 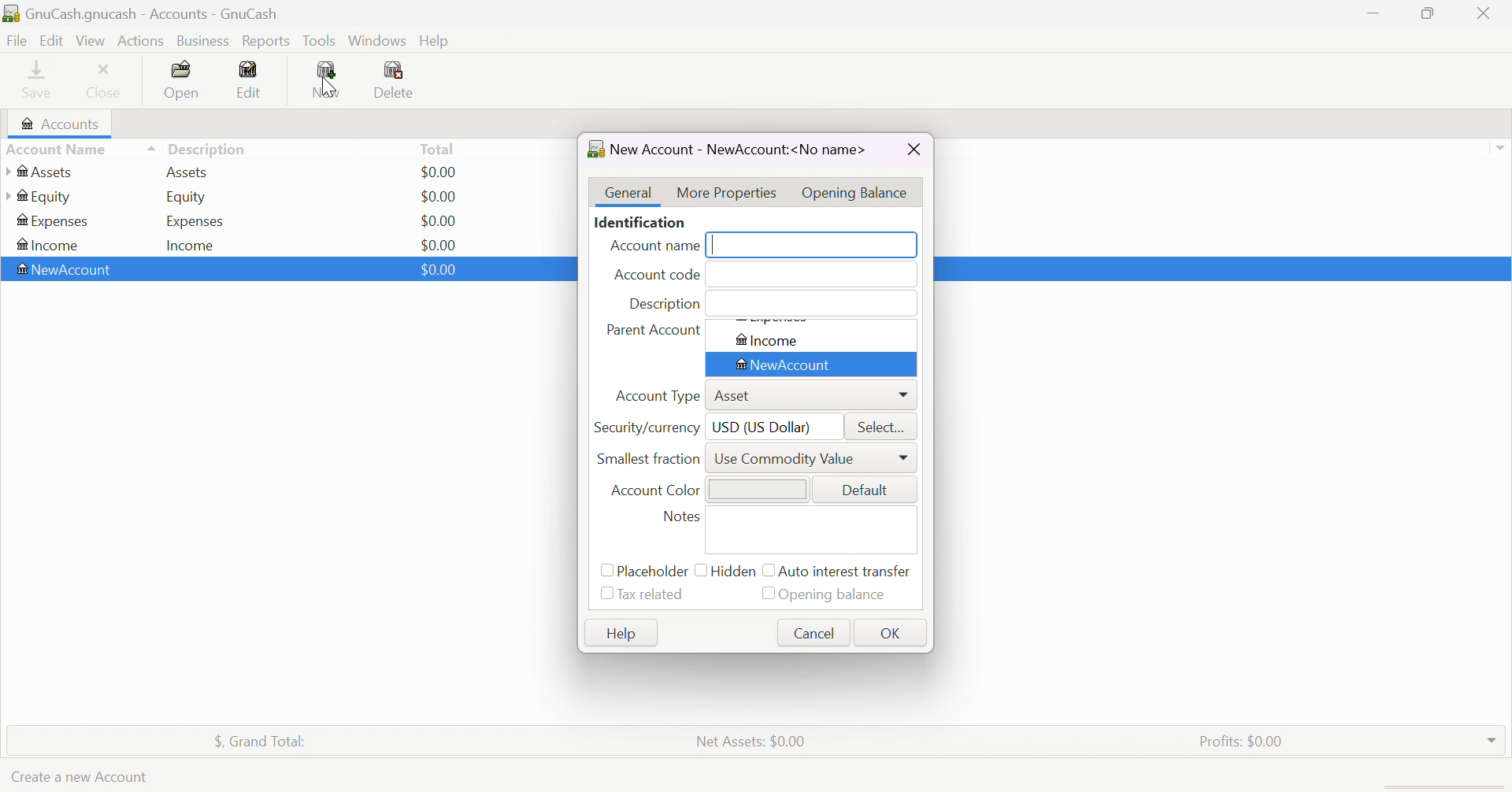 What do you see at coordinates (681, 517) in the screenshot?
I see `Notes` at bounding box center [681, 517].